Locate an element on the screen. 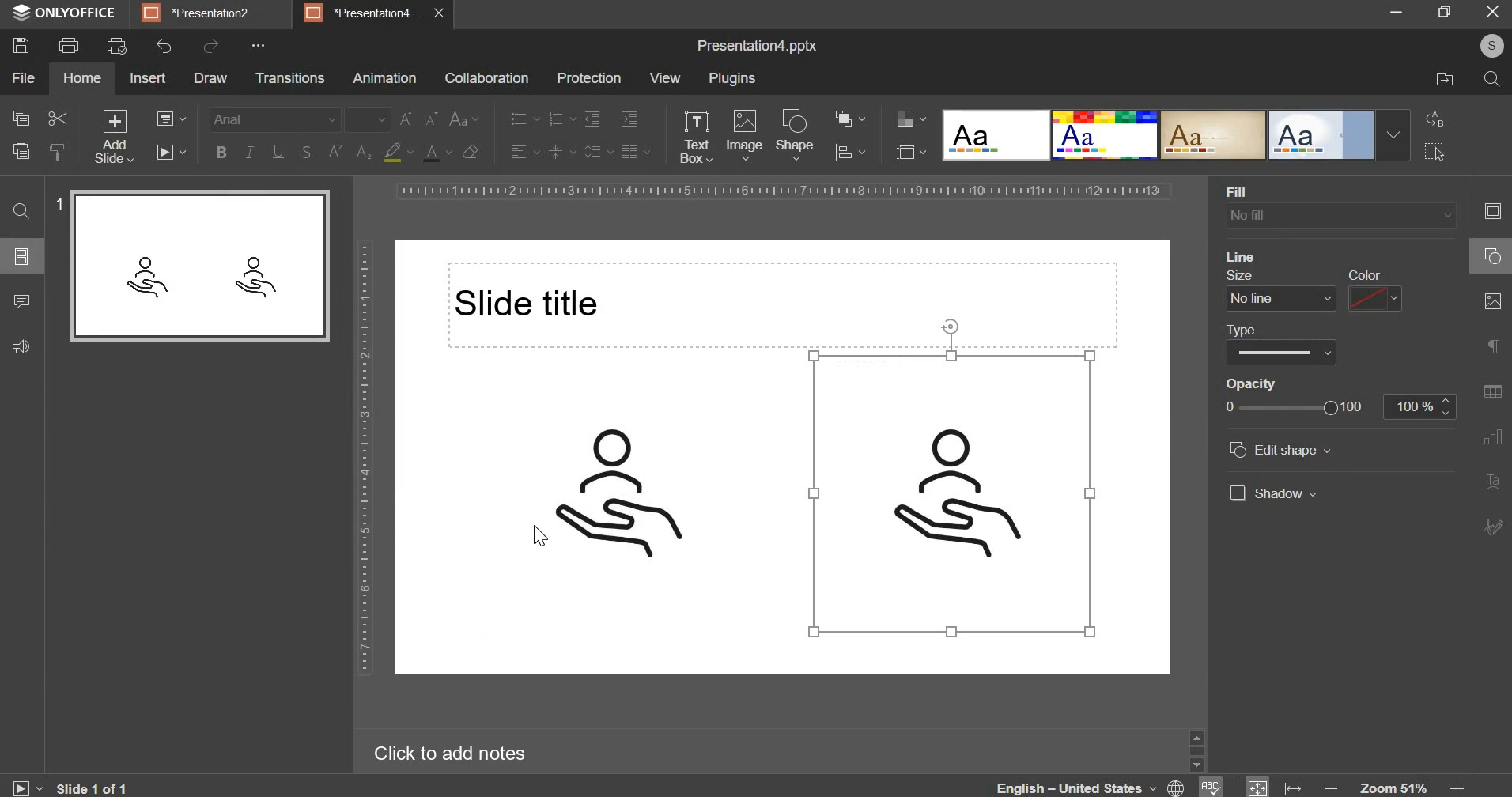 The width and height of the screenshot is (1512, 797). plugins is located at coordinates (731, 77).